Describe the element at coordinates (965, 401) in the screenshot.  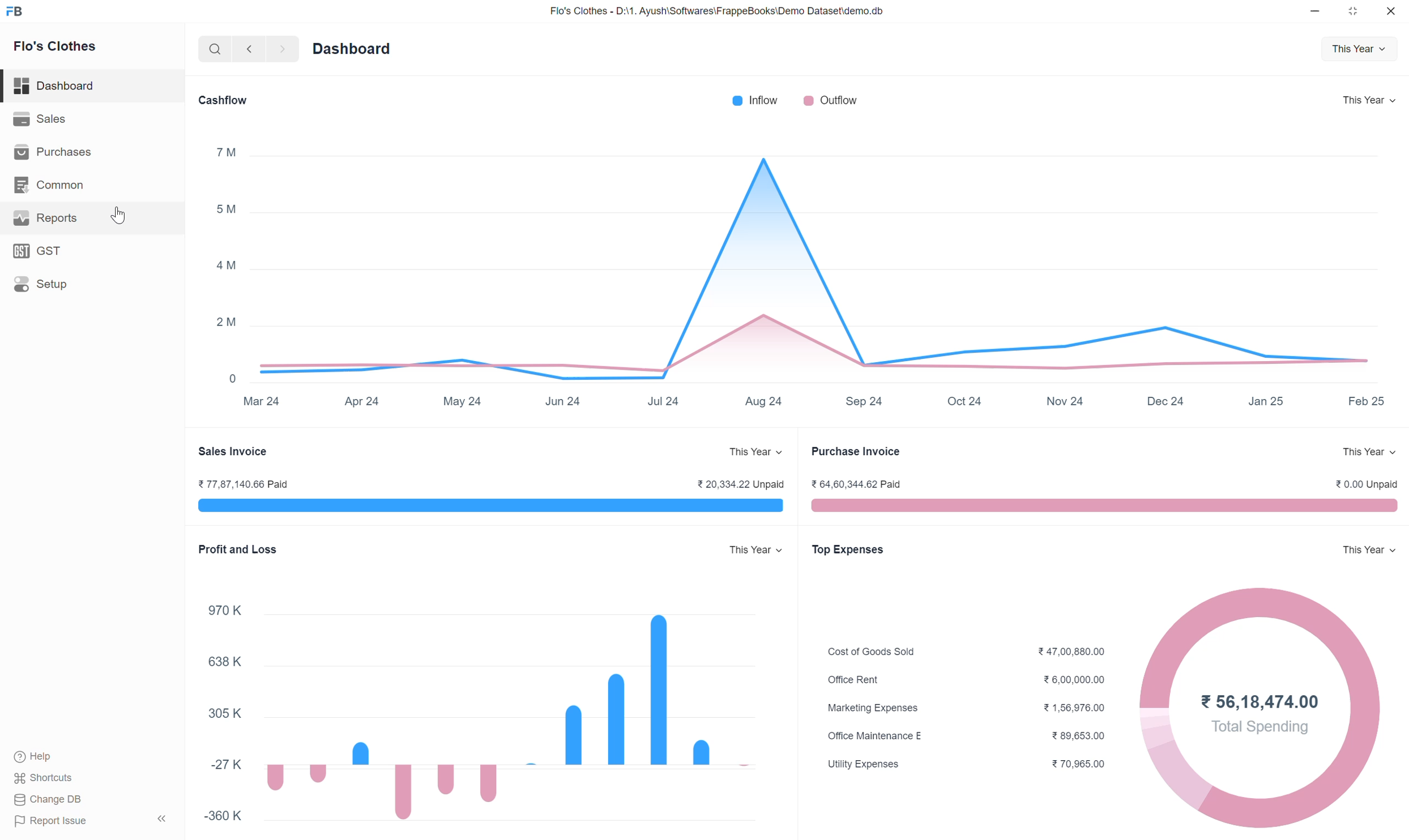
I see `oct 24` at that location.